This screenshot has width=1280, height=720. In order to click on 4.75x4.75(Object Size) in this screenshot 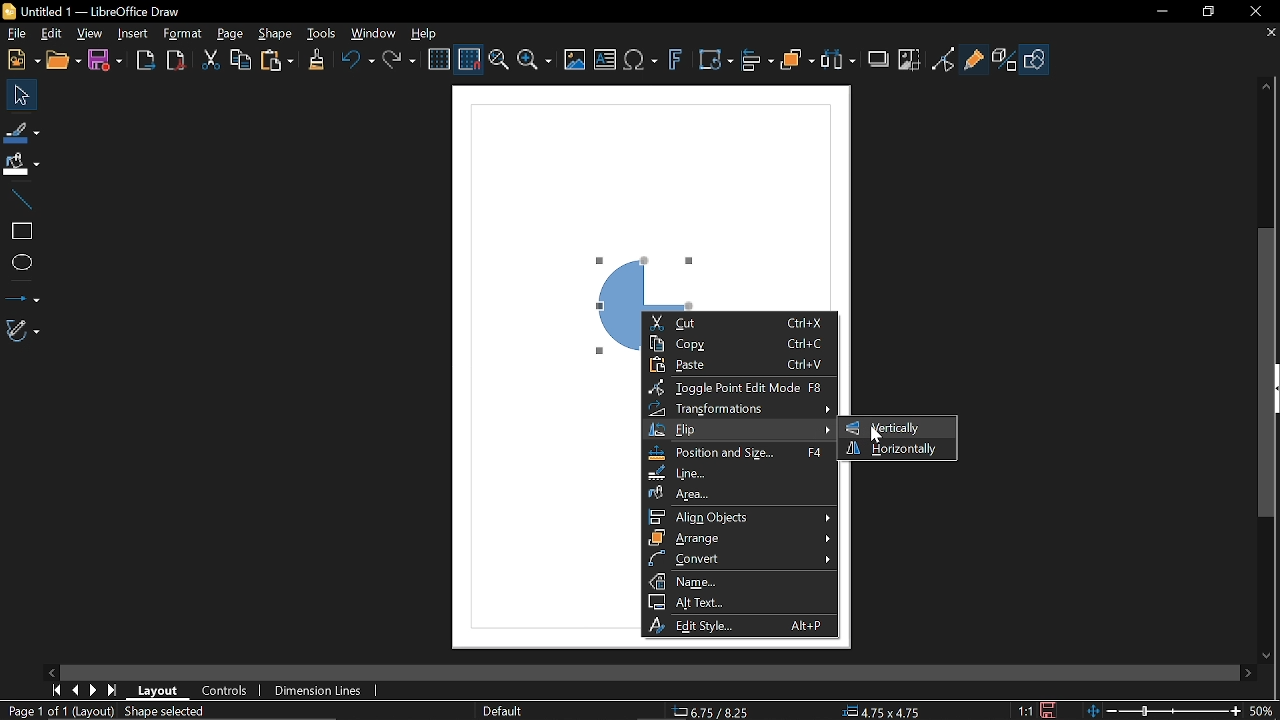, I will do `click(885, 710)`.